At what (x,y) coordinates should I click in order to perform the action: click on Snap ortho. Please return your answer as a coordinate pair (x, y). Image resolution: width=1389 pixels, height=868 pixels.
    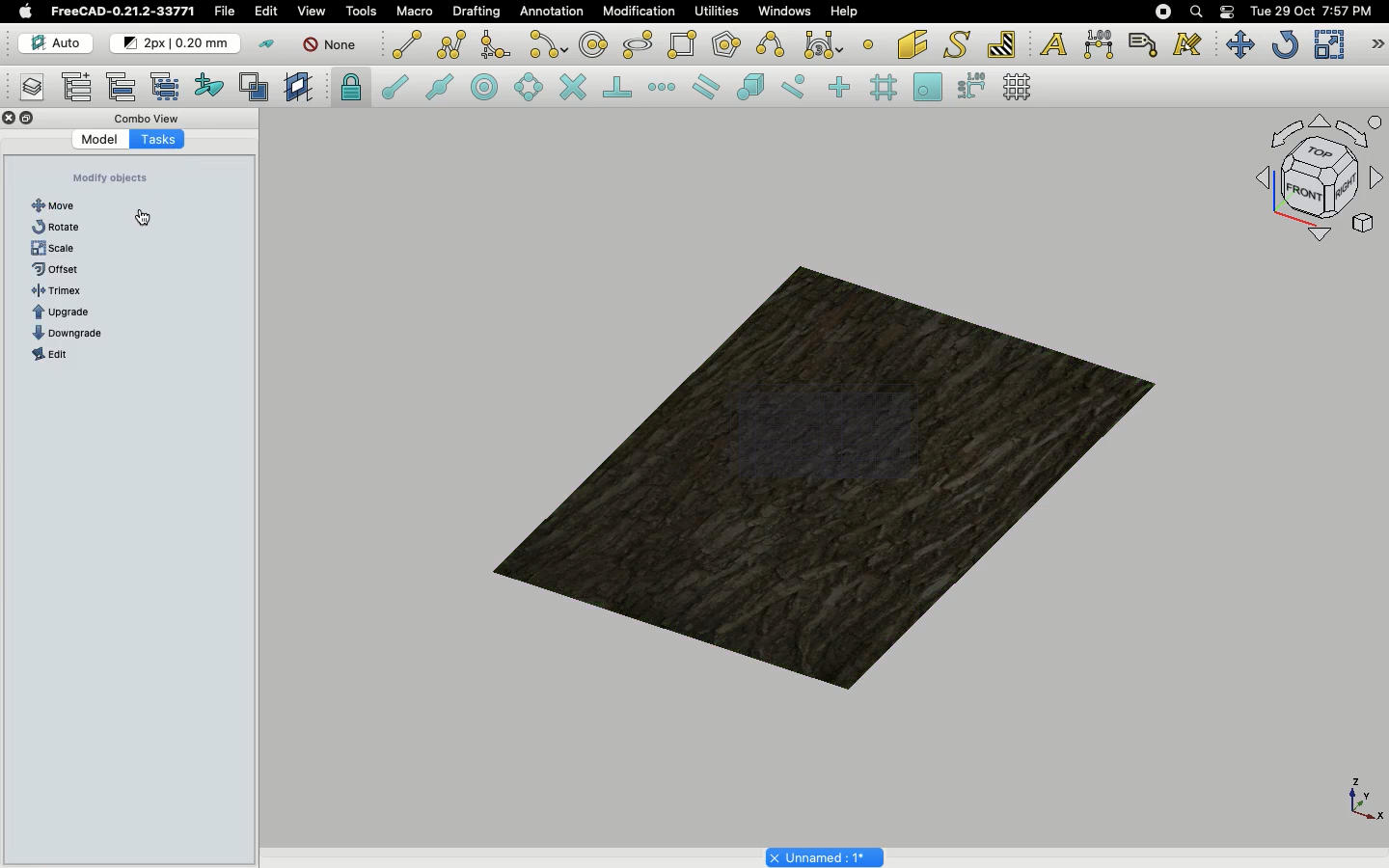
    Looking at the image, I should click on (842, 89).